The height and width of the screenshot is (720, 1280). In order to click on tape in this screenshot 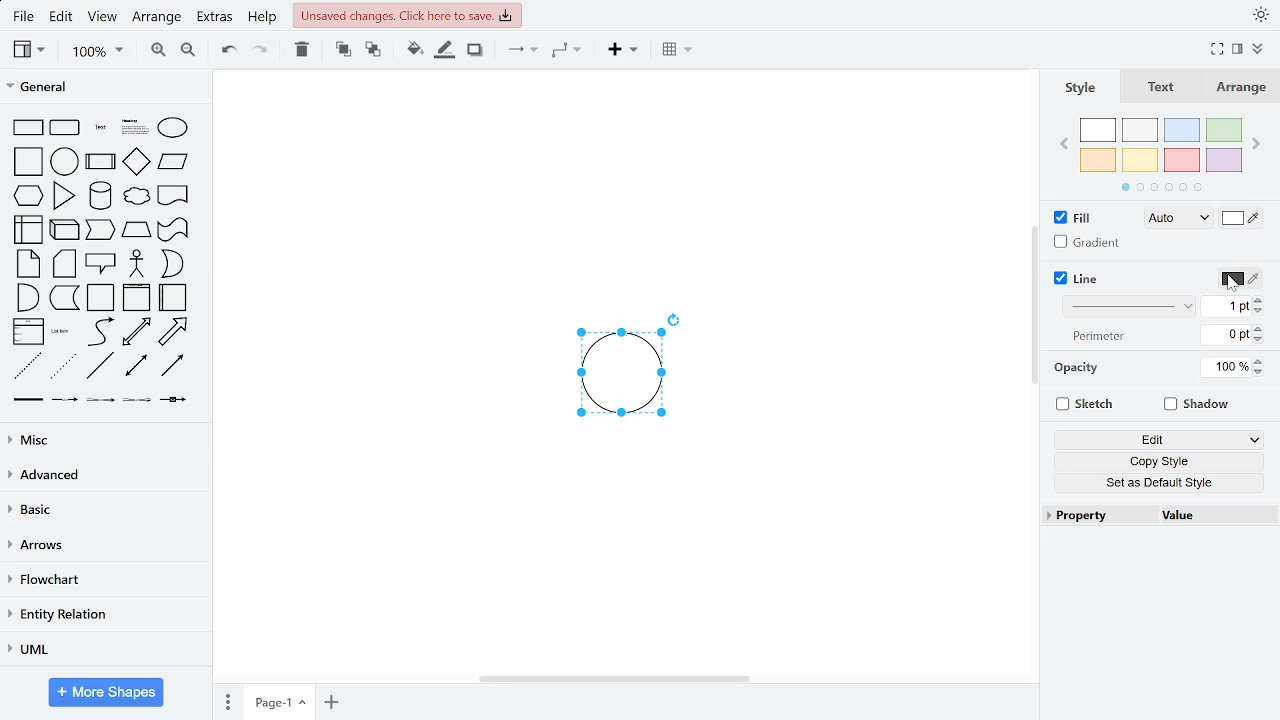, I will do `click(173, 229)`.